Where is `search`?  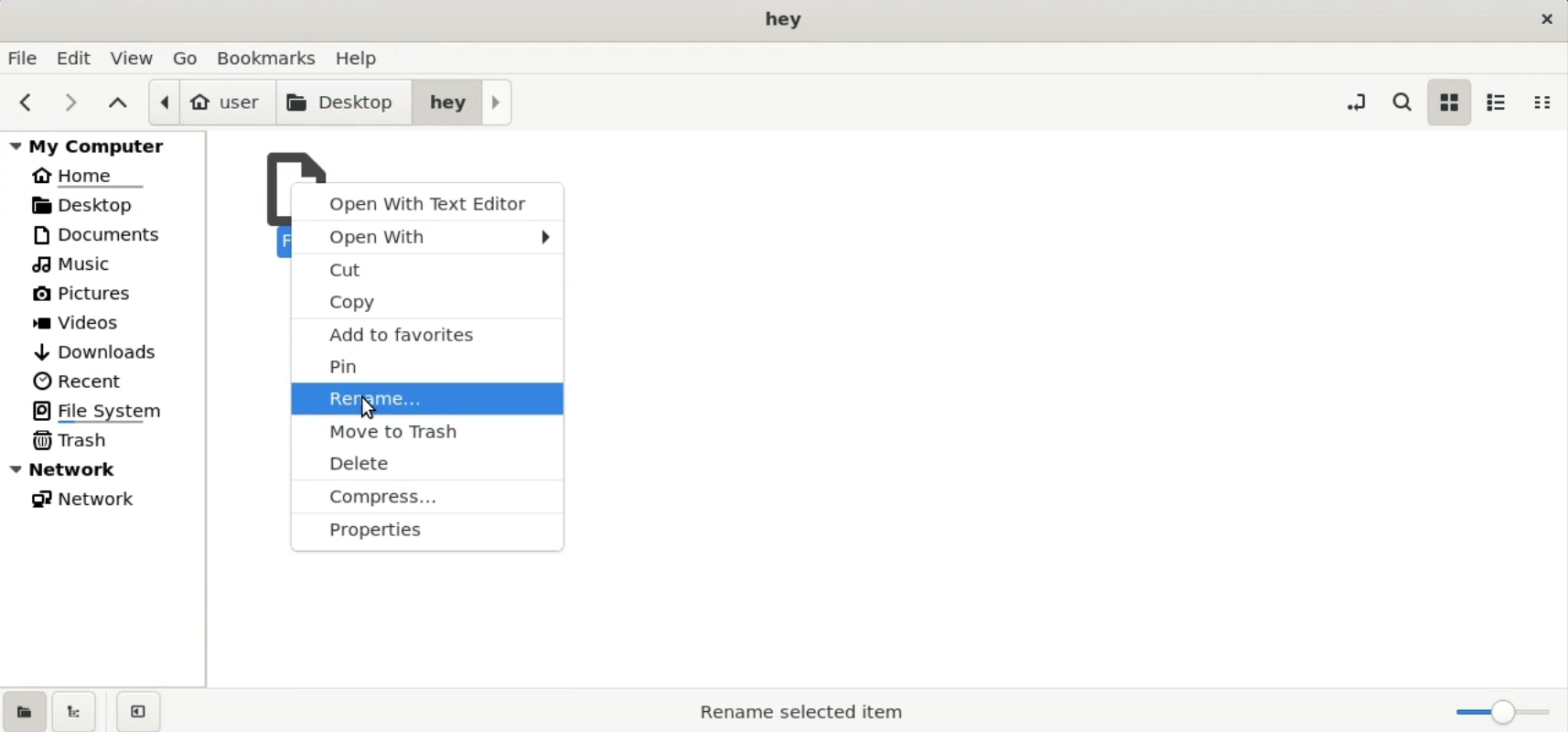 search is located at coordinates (1406, 102).